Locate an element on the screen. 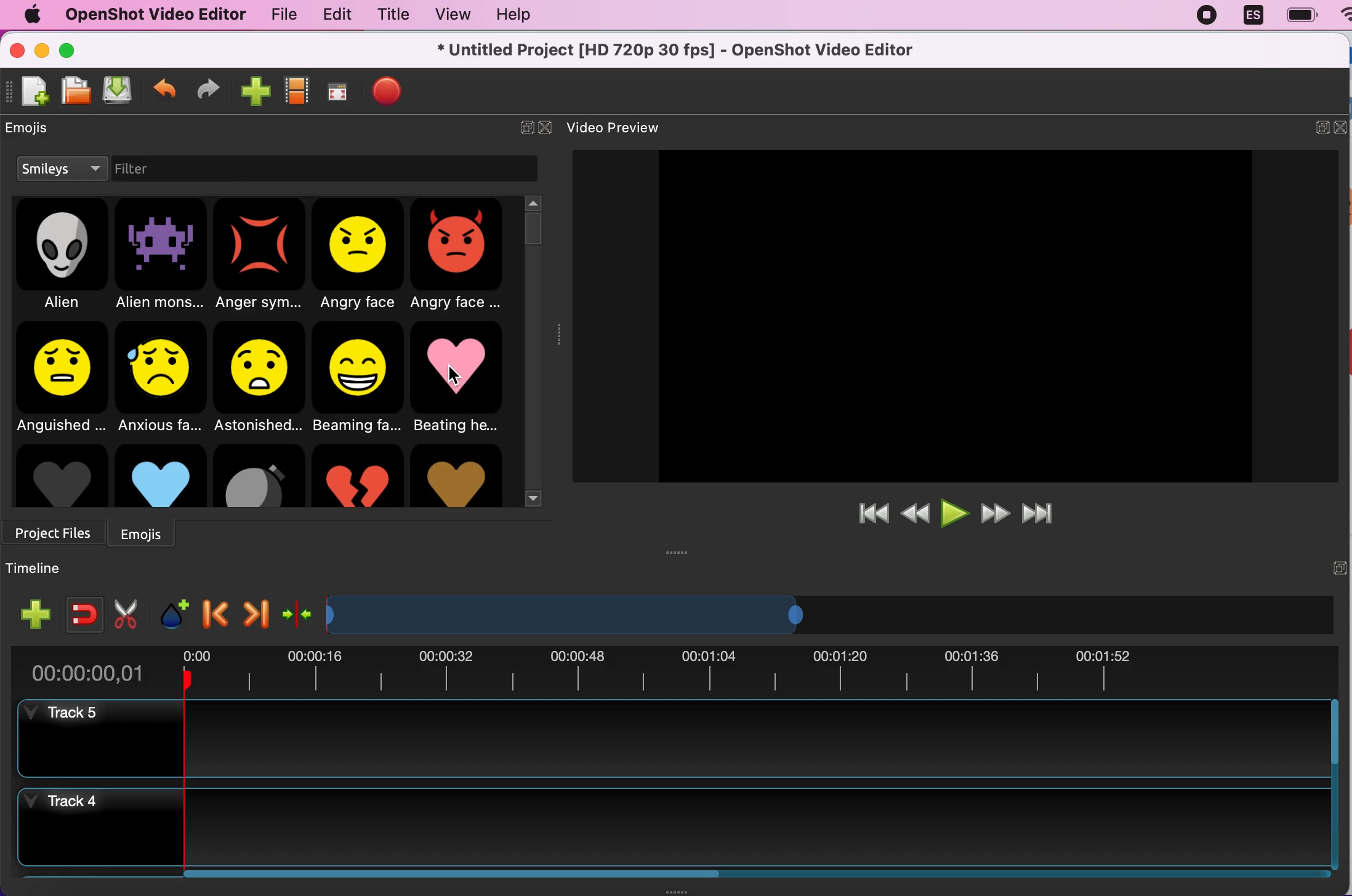 The height and width of the screenshot is (896, 1352). add track is located at coordinates (36, 614).